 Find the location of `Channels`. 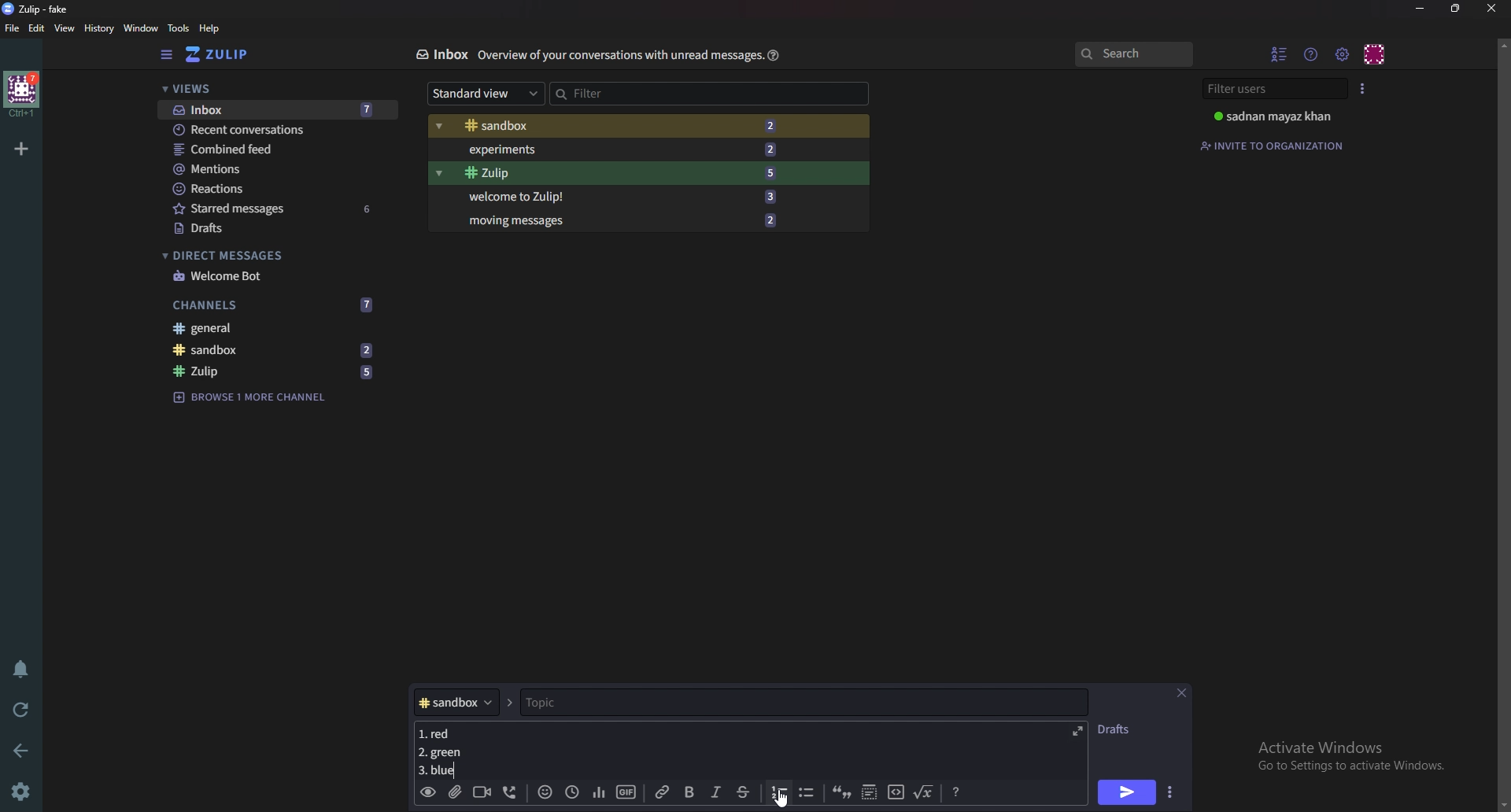

Channels is located at coordinates (276, 303).